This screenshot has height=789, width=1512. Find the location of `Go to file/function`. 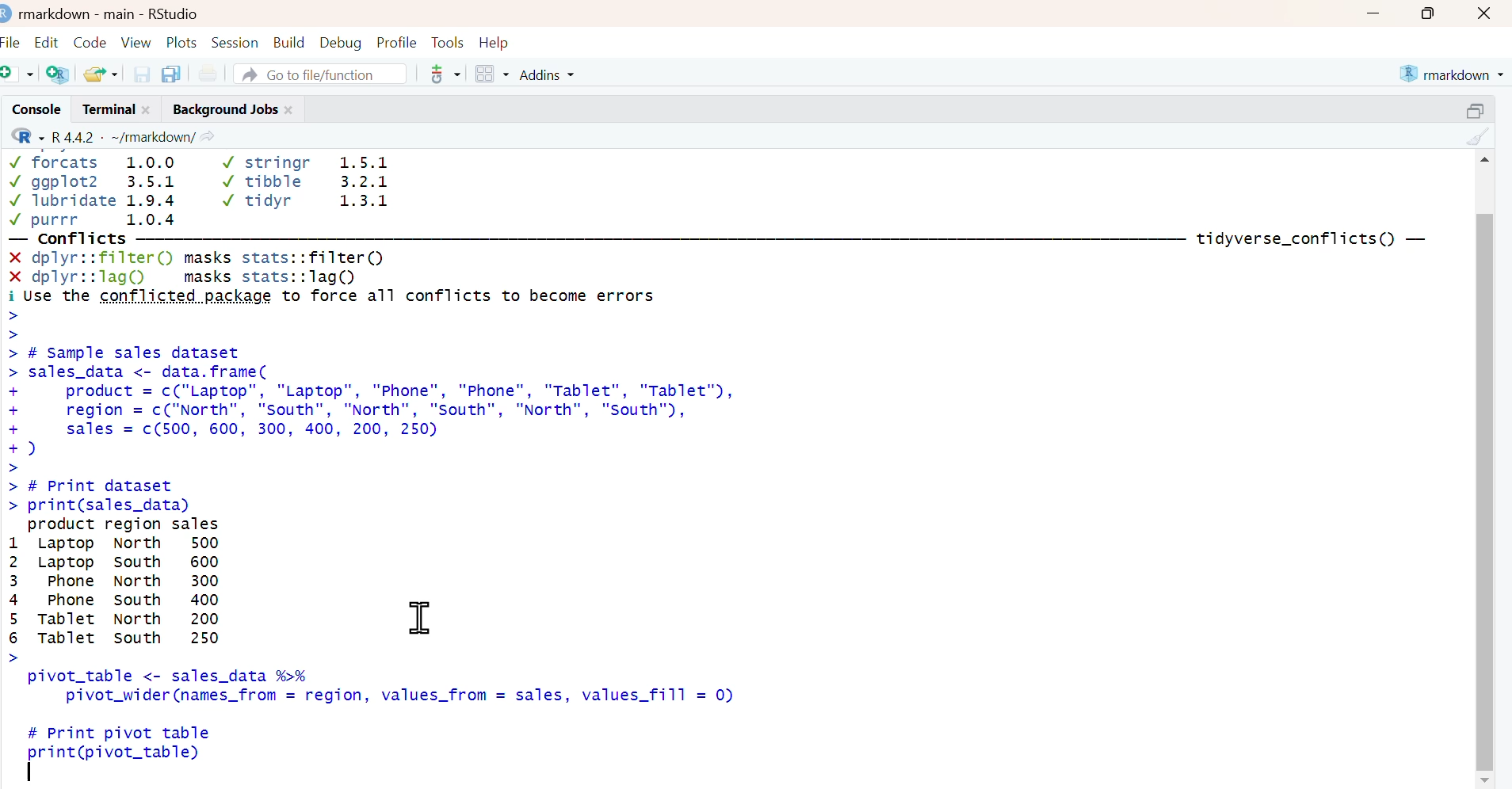

Go to file/function is located at coordinates (322, 73).